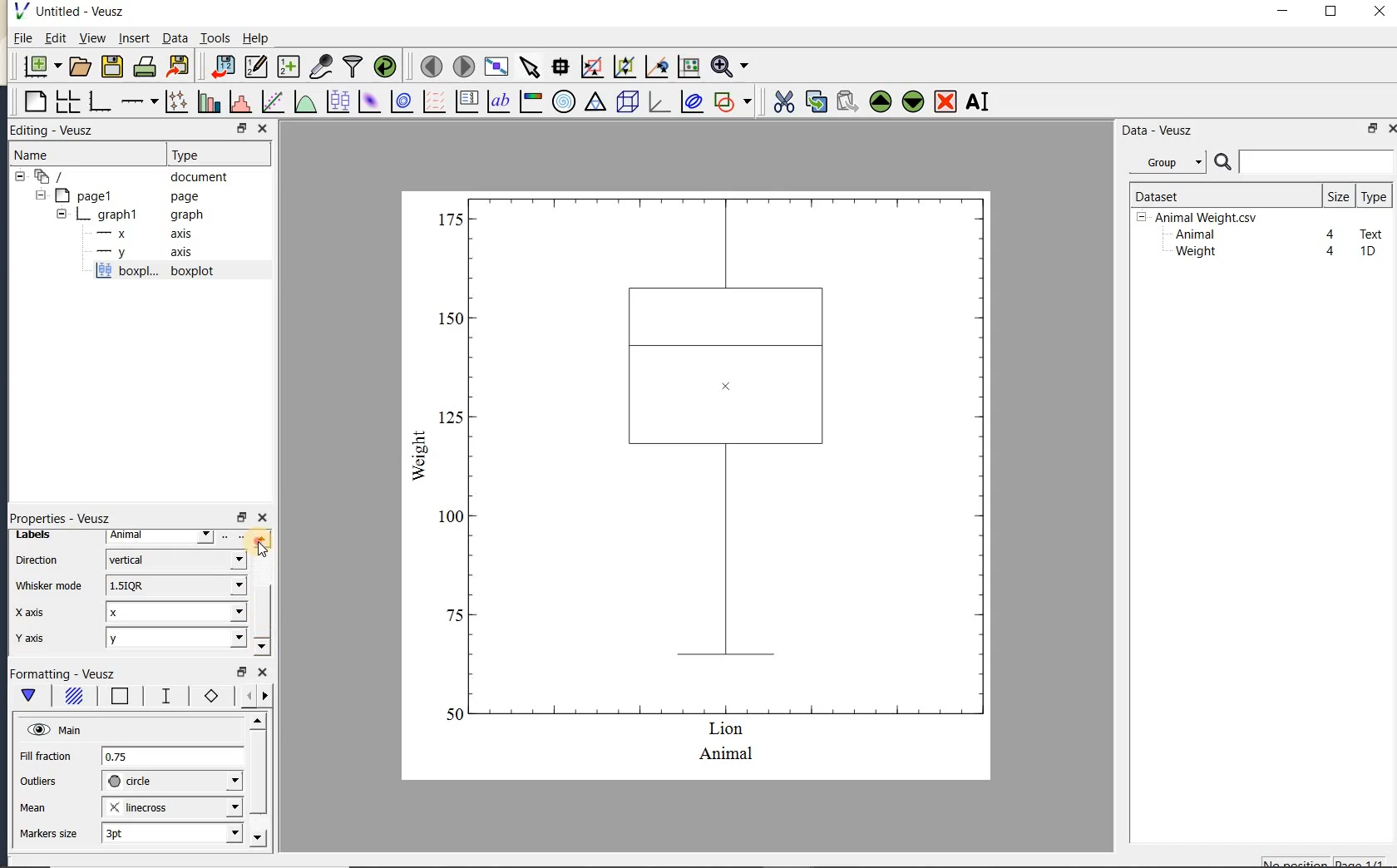 This screenshot has height=868, width=1397. What do you see at coordinates (126, 177) in the screenshot?
I see `document` at bounding box center [126, 177].